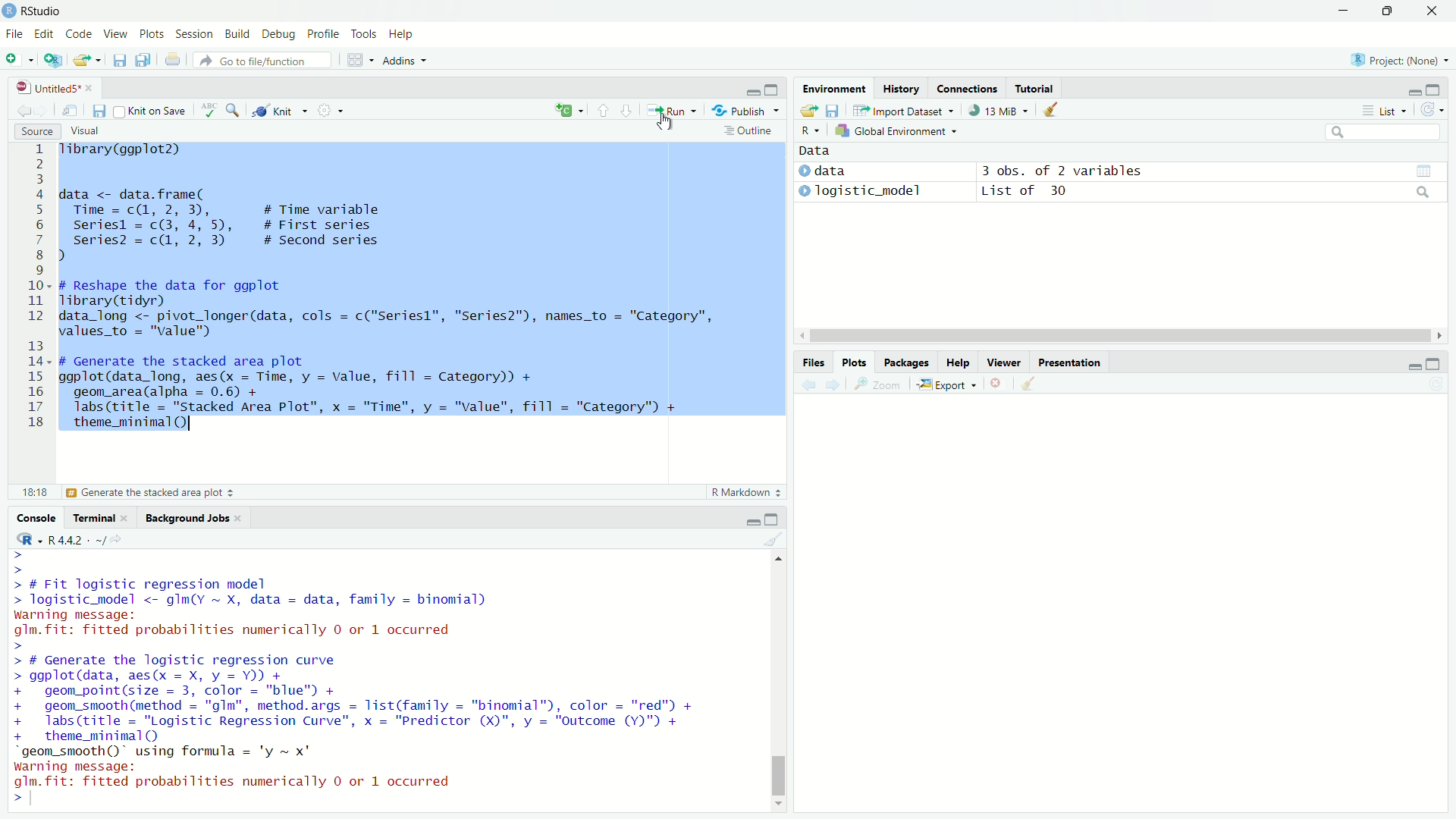  Describe the element at coordinates (1366, 113) in the screenshot. I see `more` at that location.